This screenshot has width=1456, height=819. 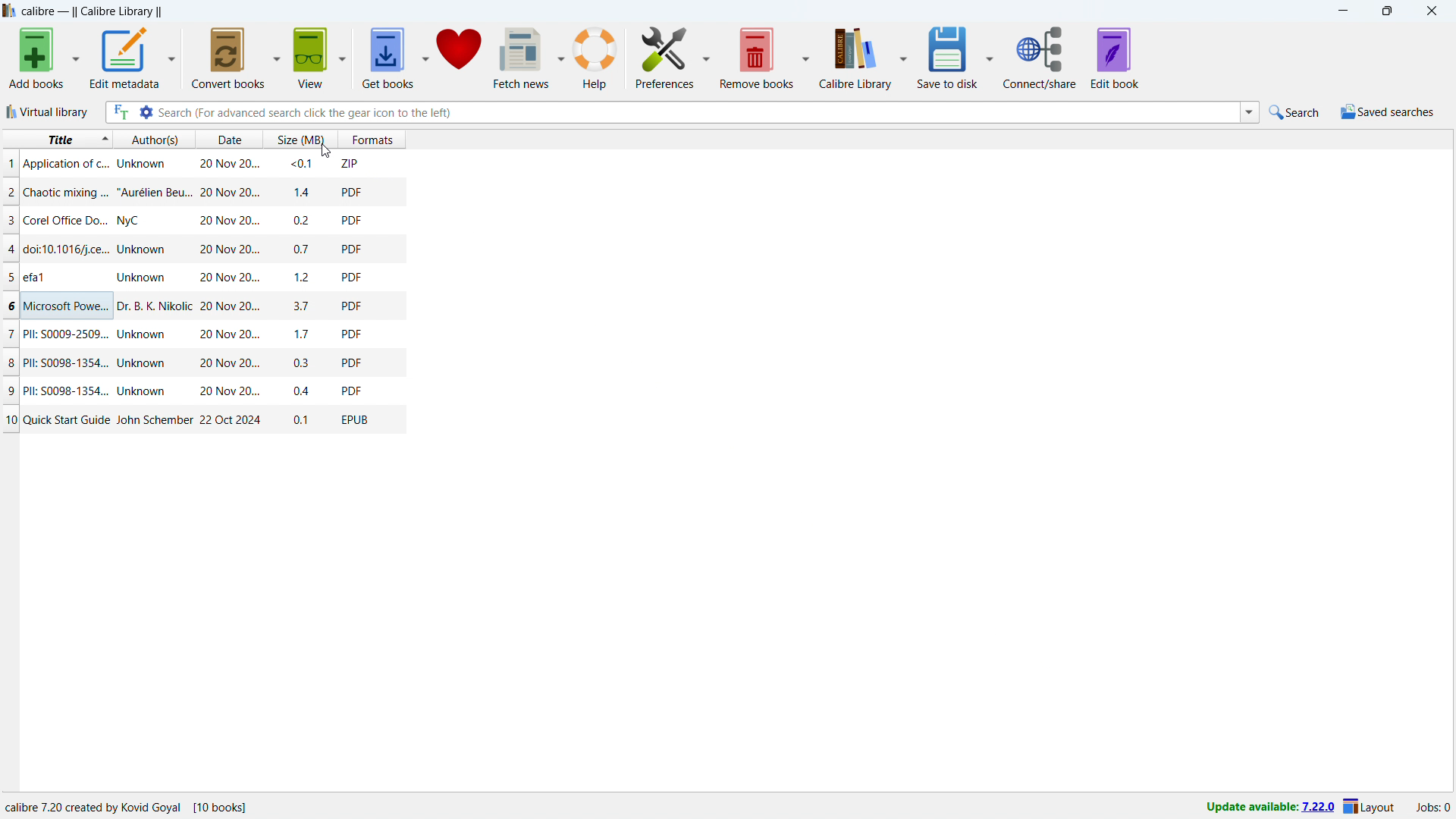 I want to click on 1, so click(x=9, y=164).